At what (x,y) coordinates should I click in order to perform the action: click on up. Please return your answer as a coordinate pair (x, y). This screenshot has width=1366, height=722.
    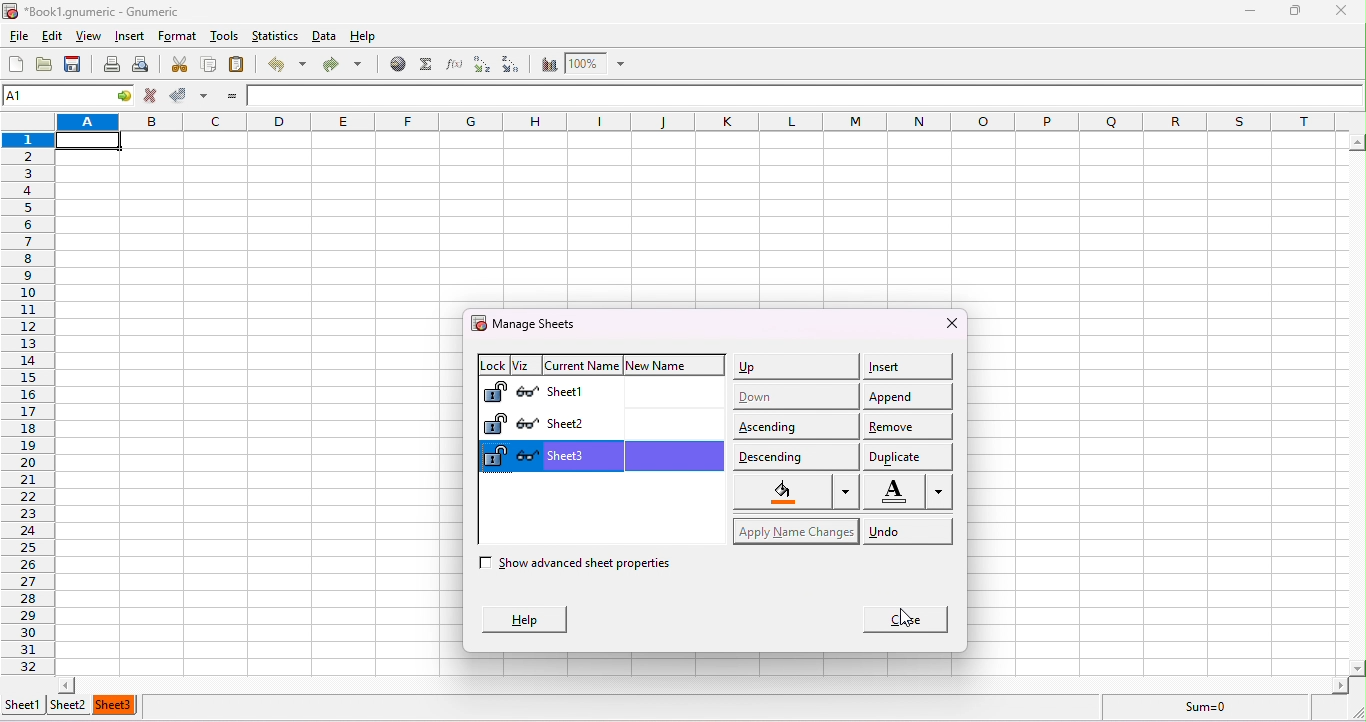
    Looking at the image, I should click on (795, 368).